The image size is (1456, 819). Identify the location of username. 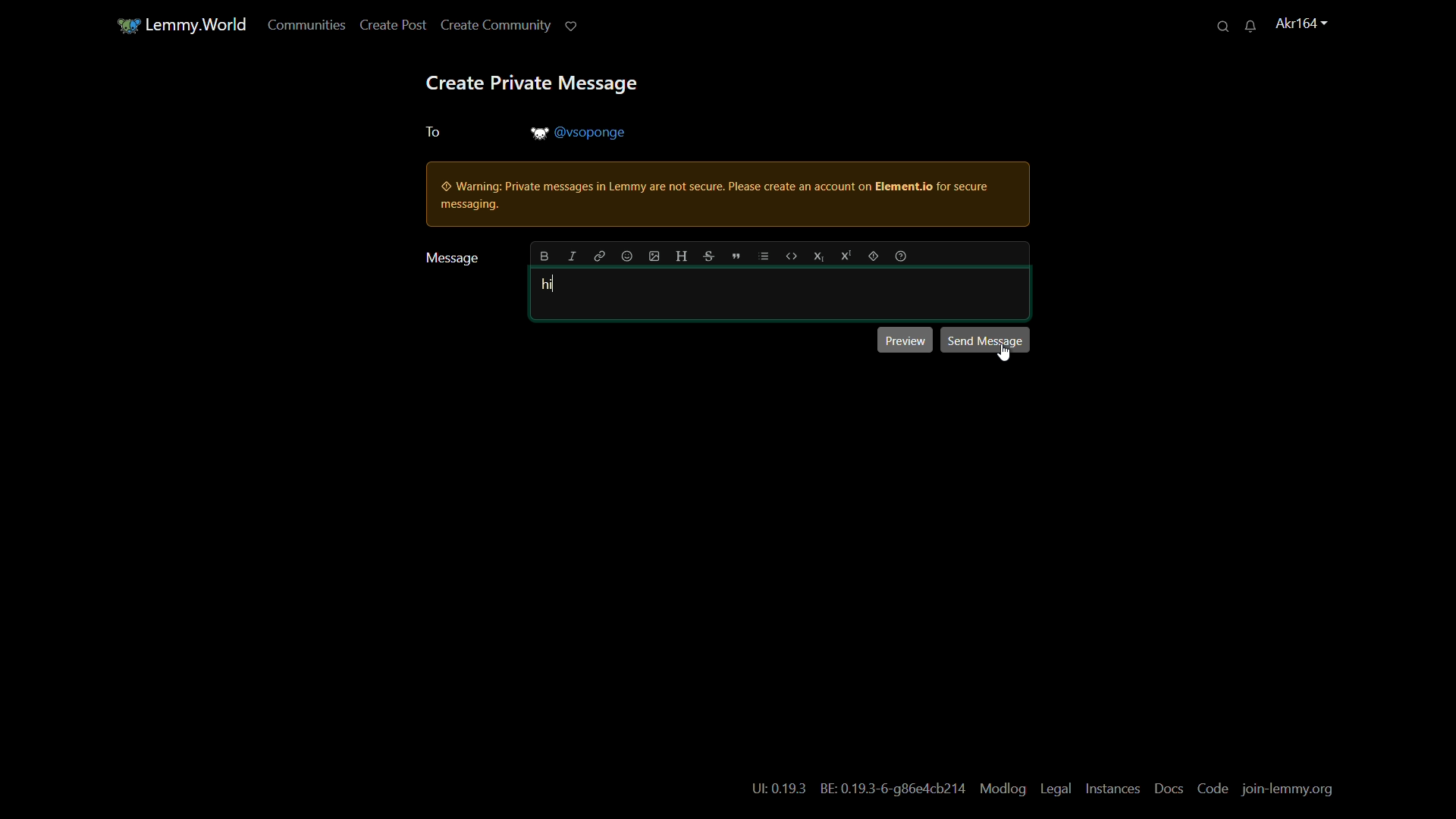
(580, 132).